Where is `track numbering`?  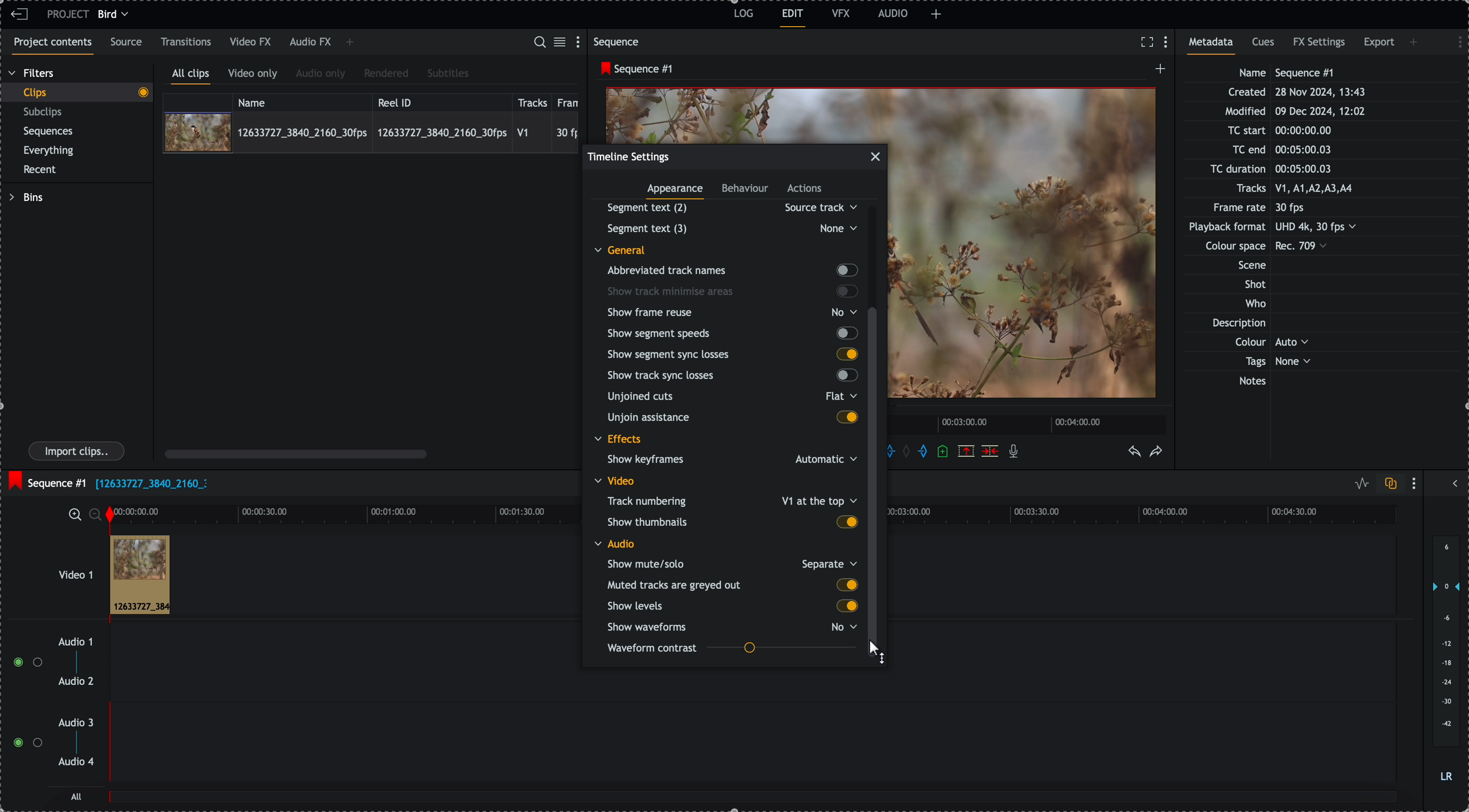 track numbering is located at coordinates (731, 500).